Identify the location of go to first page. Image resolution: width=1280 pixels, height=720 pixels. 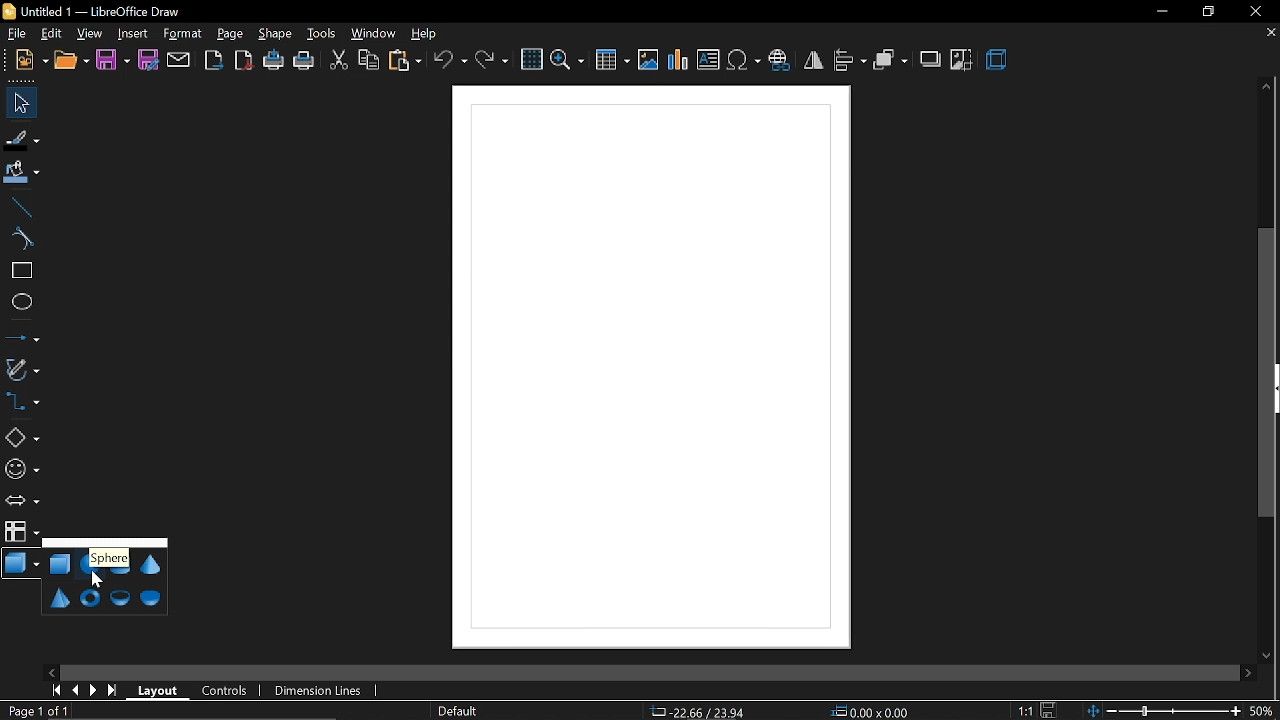
(58, 692).